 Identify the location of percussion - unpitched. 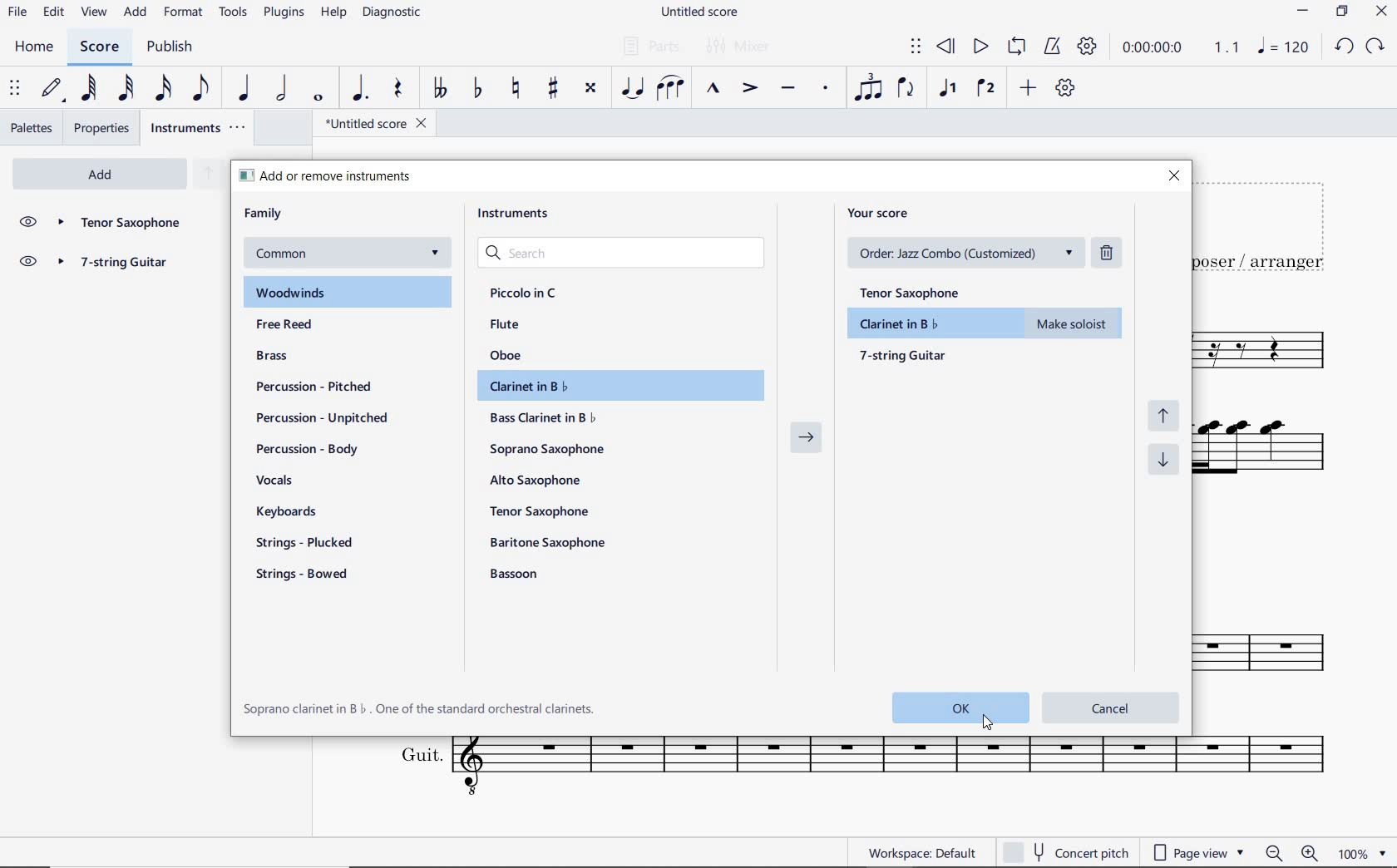
(323, 418).